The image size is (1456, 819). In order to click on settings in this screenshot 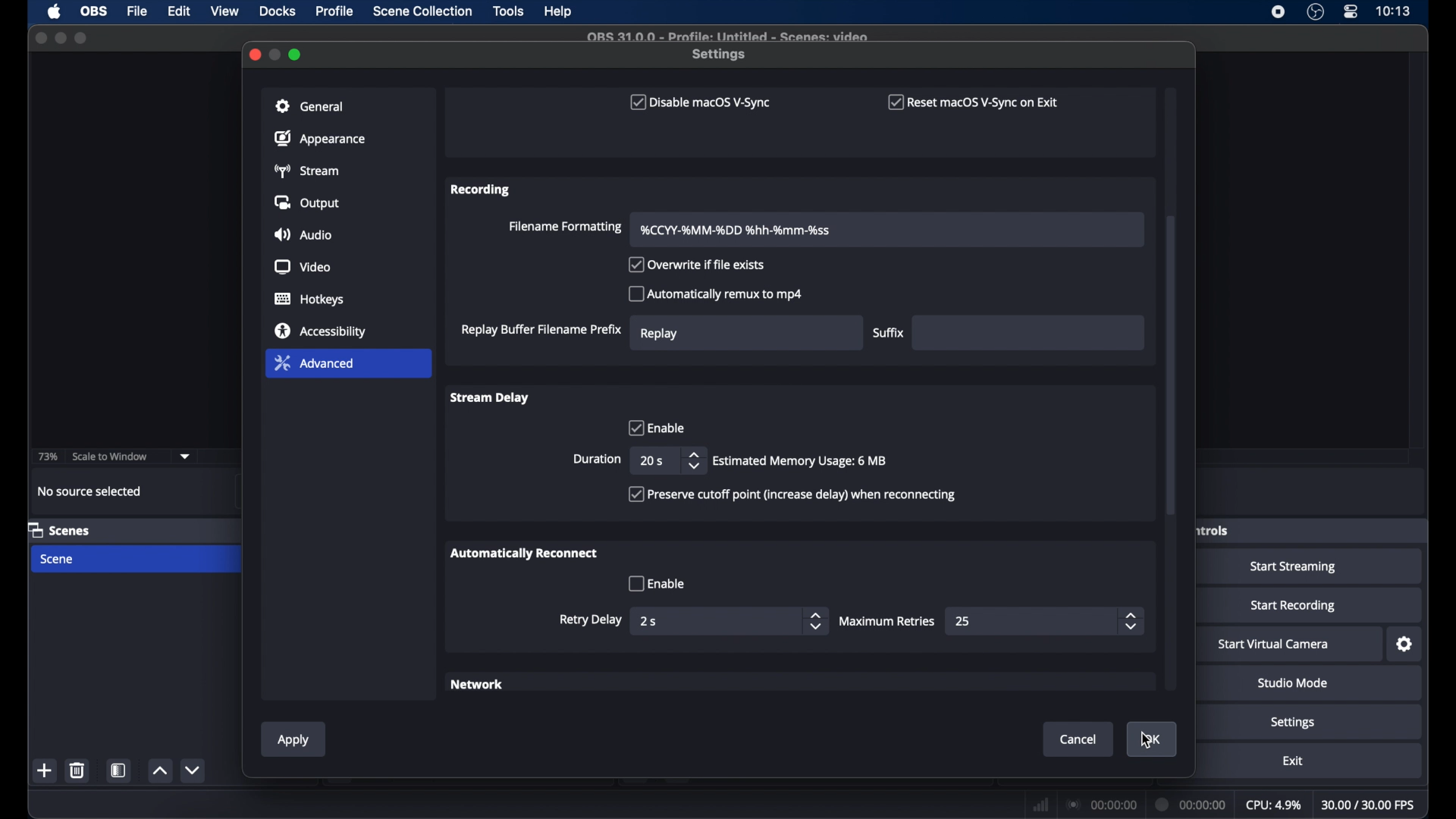, I will do `click(1406, 645)`.